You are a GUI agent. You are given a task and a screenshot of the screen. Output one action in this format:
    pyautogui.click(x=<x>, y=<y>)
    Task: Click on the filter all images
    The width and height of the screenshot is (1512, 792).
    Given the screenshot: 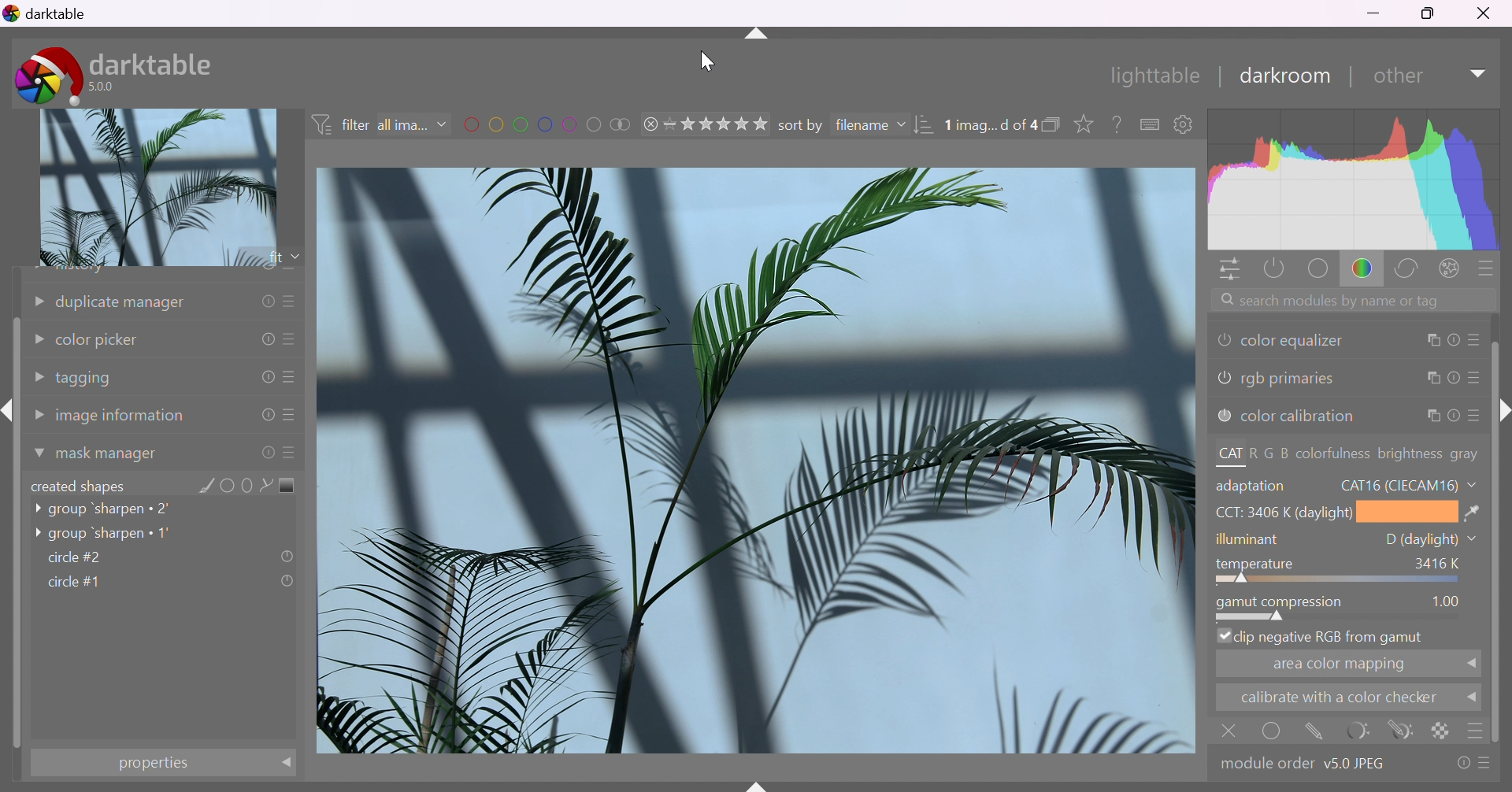 What is the action you would take?
    pyautogui.click(x=383, y=123)
    